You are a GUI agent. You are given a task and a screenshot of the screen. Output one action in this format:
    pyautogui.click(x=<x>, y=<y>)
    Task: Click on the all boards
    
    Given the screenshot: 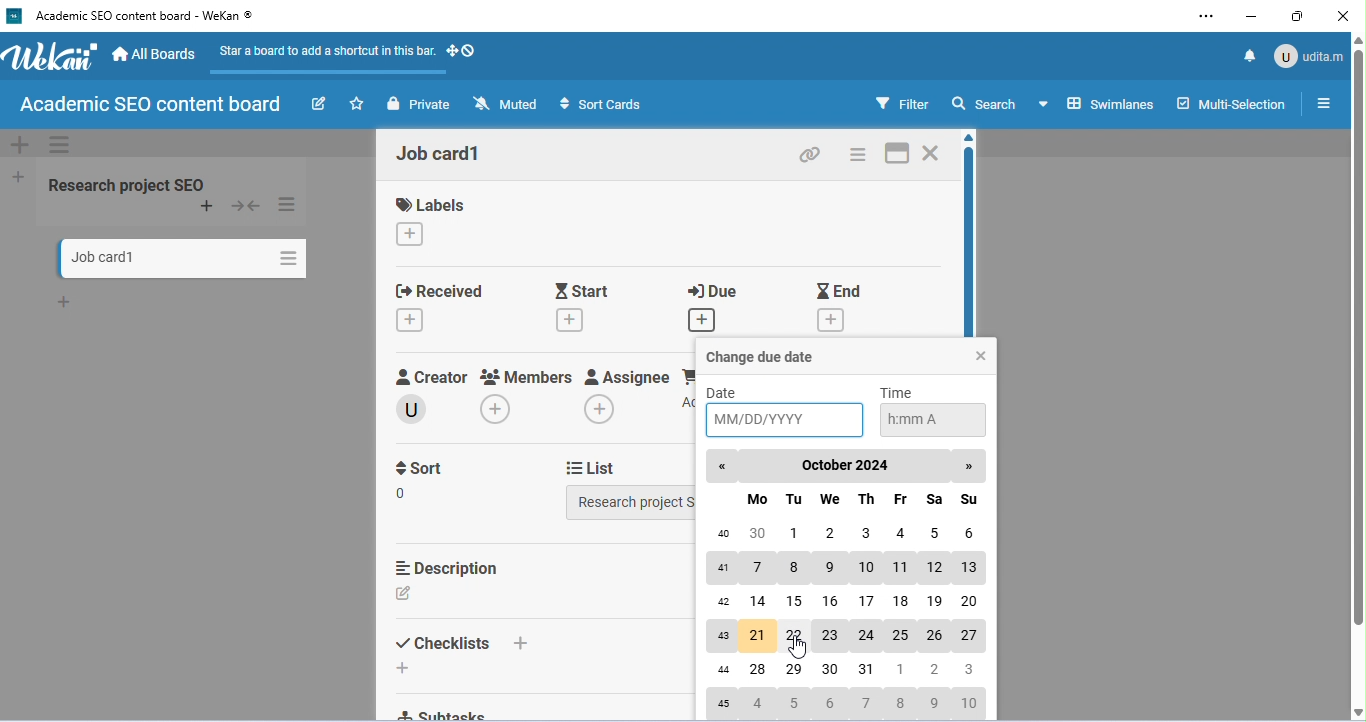 What is the action you would take?
    pyautogui.click(x=156, y=55)
    